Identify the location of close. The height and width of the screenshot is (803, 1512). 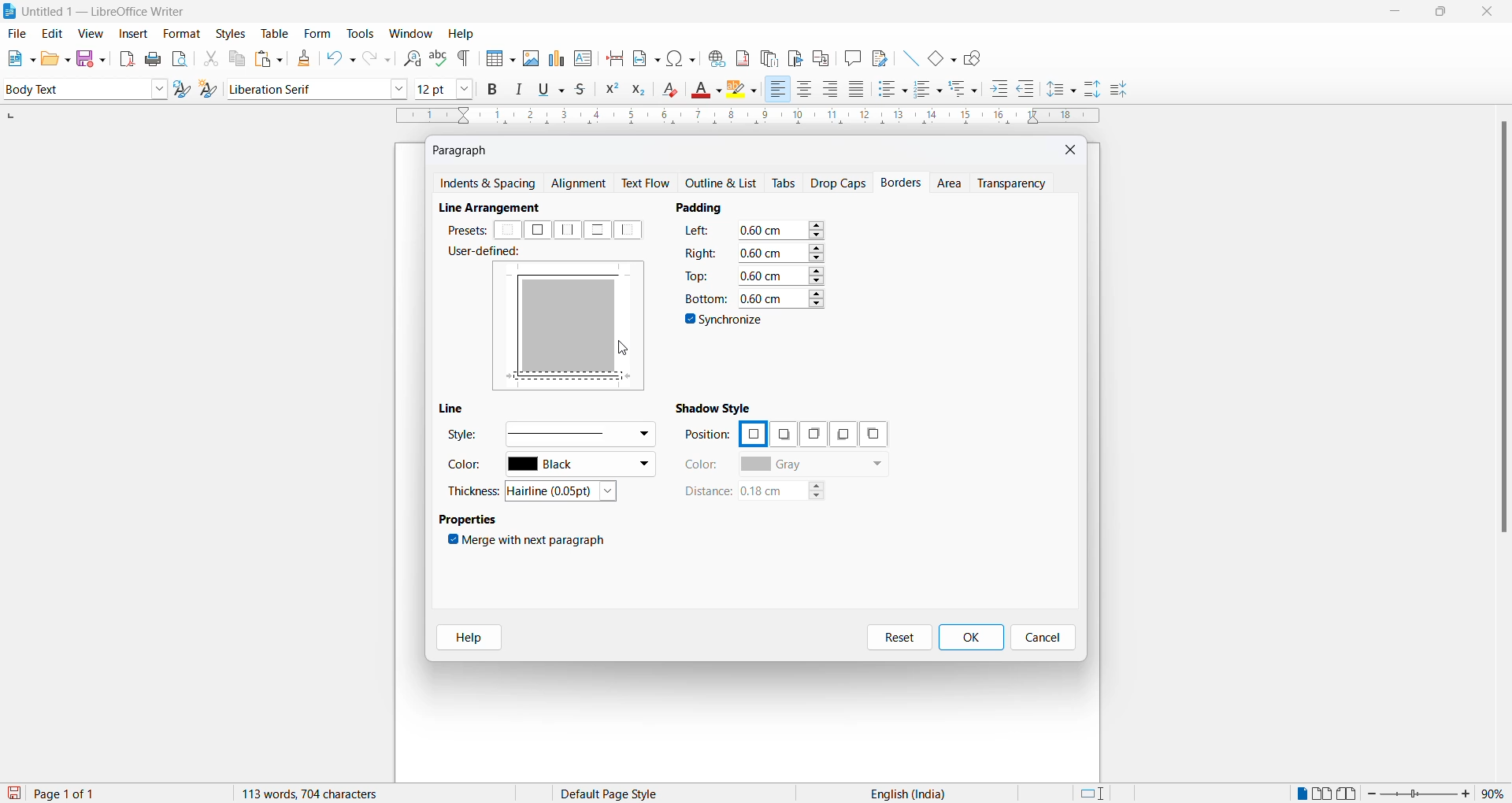
(1491, 13).